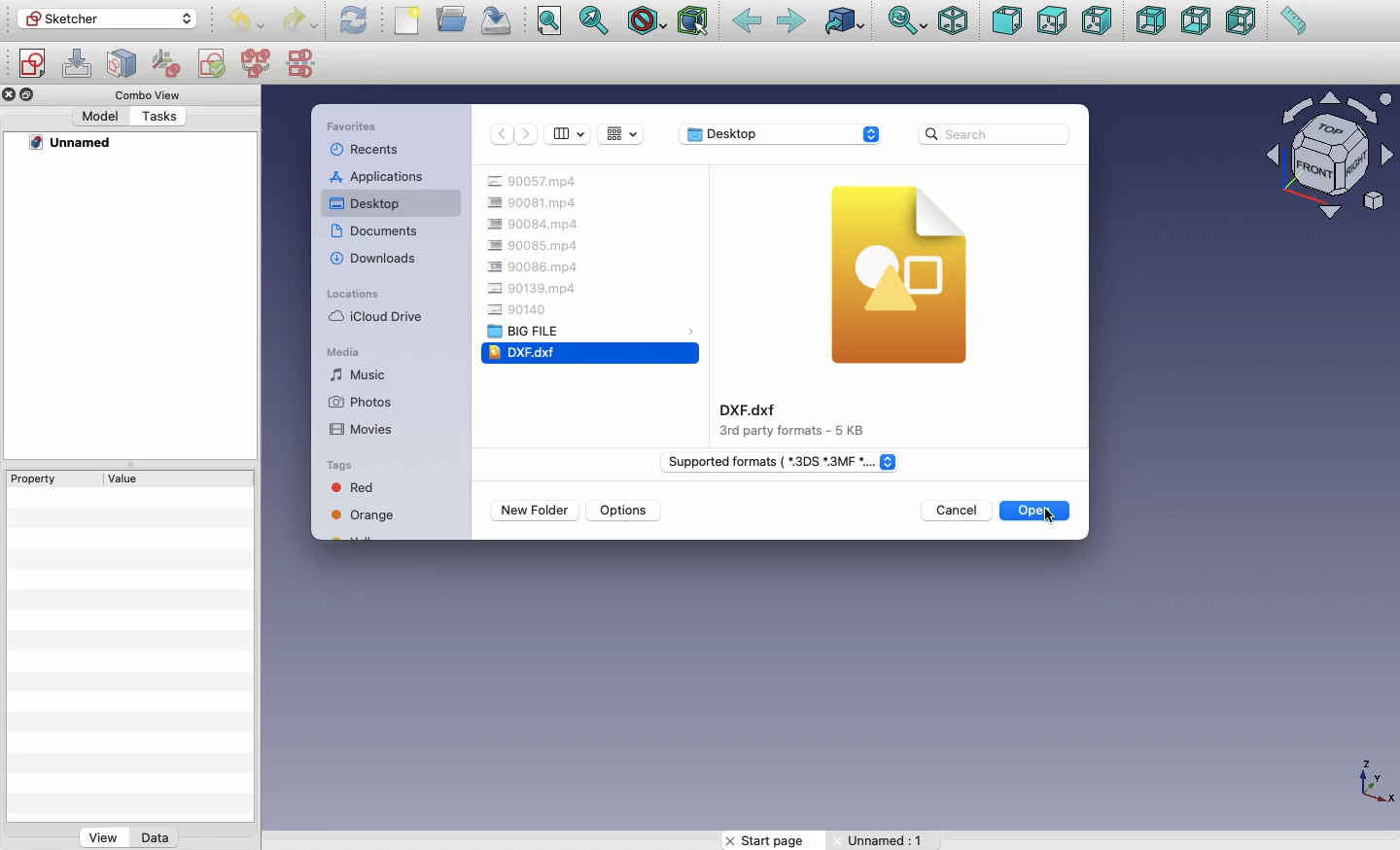 Image resolution: width=1400 pixels, height=850 pixels. Describe the element at coordinates (376, 317) in the screenshot. I see `iCloud` at that location.